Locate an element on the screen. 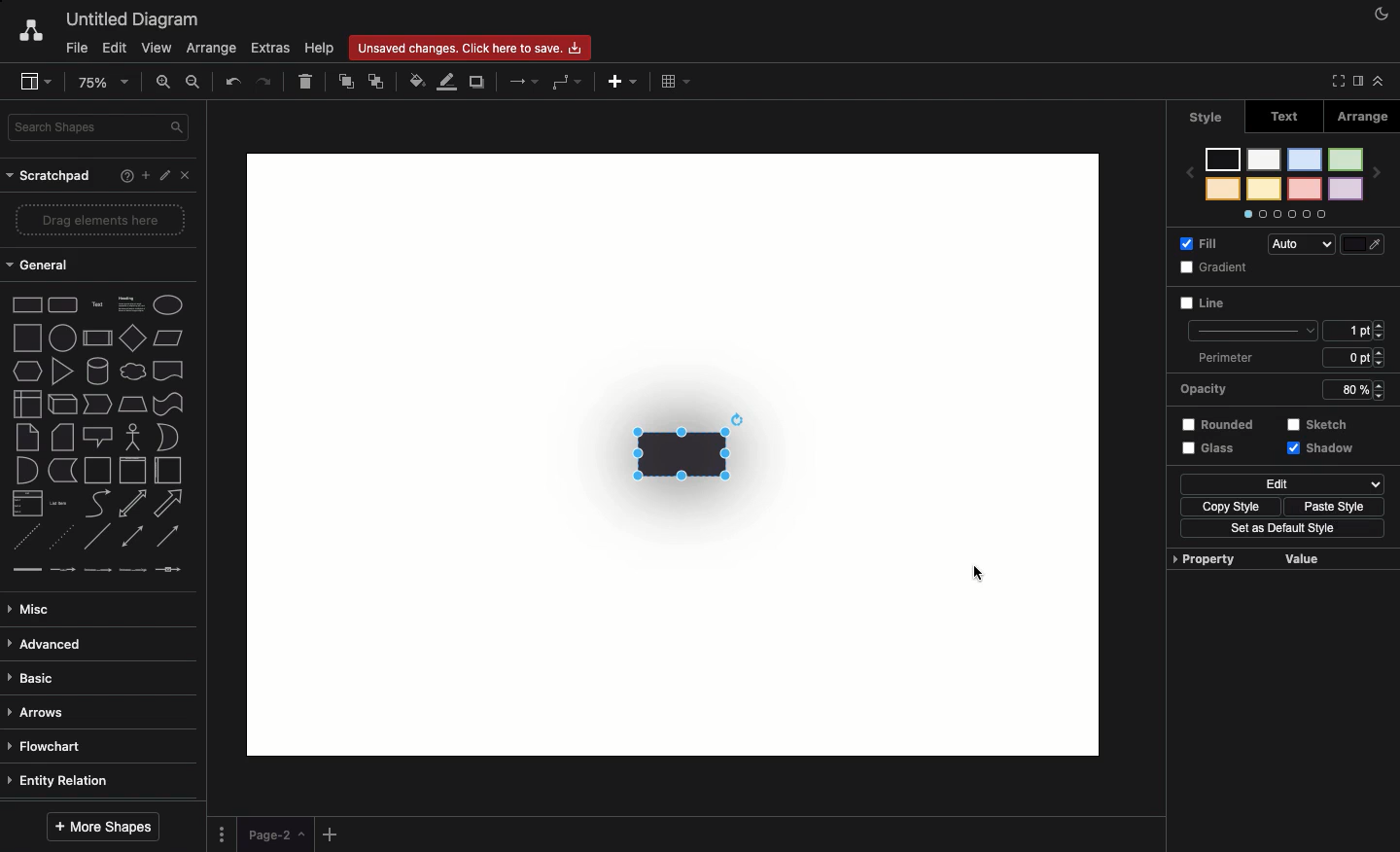 Image resolution: width=1400 pixels, height=852 pixels. Zoom is located at coordinates (102, 83).